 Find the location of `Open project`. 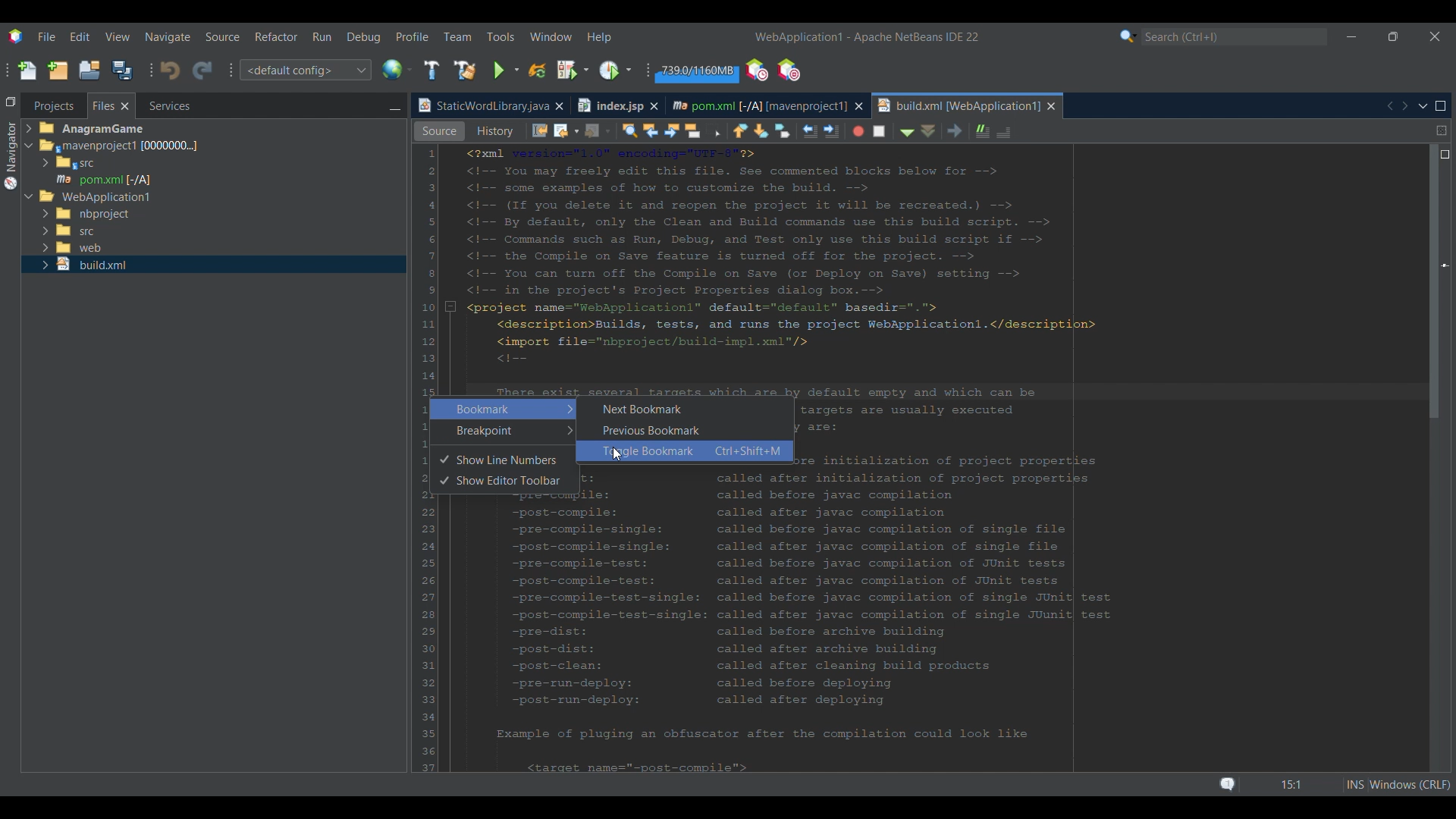

Open project is located at coordinates (89, 70).